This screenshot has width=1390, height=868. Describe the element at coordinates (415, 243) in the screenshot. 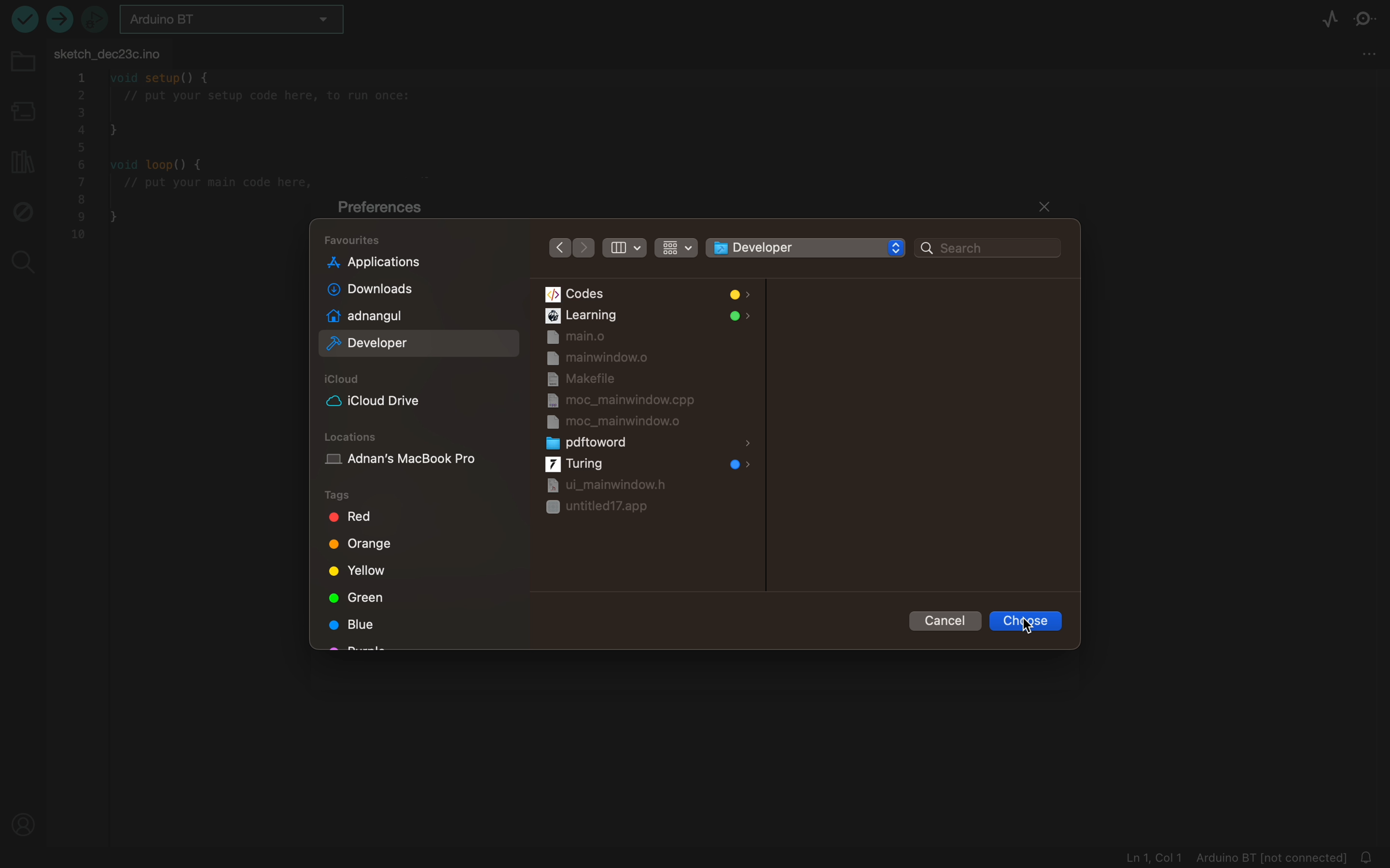

I see `folders` at that location.